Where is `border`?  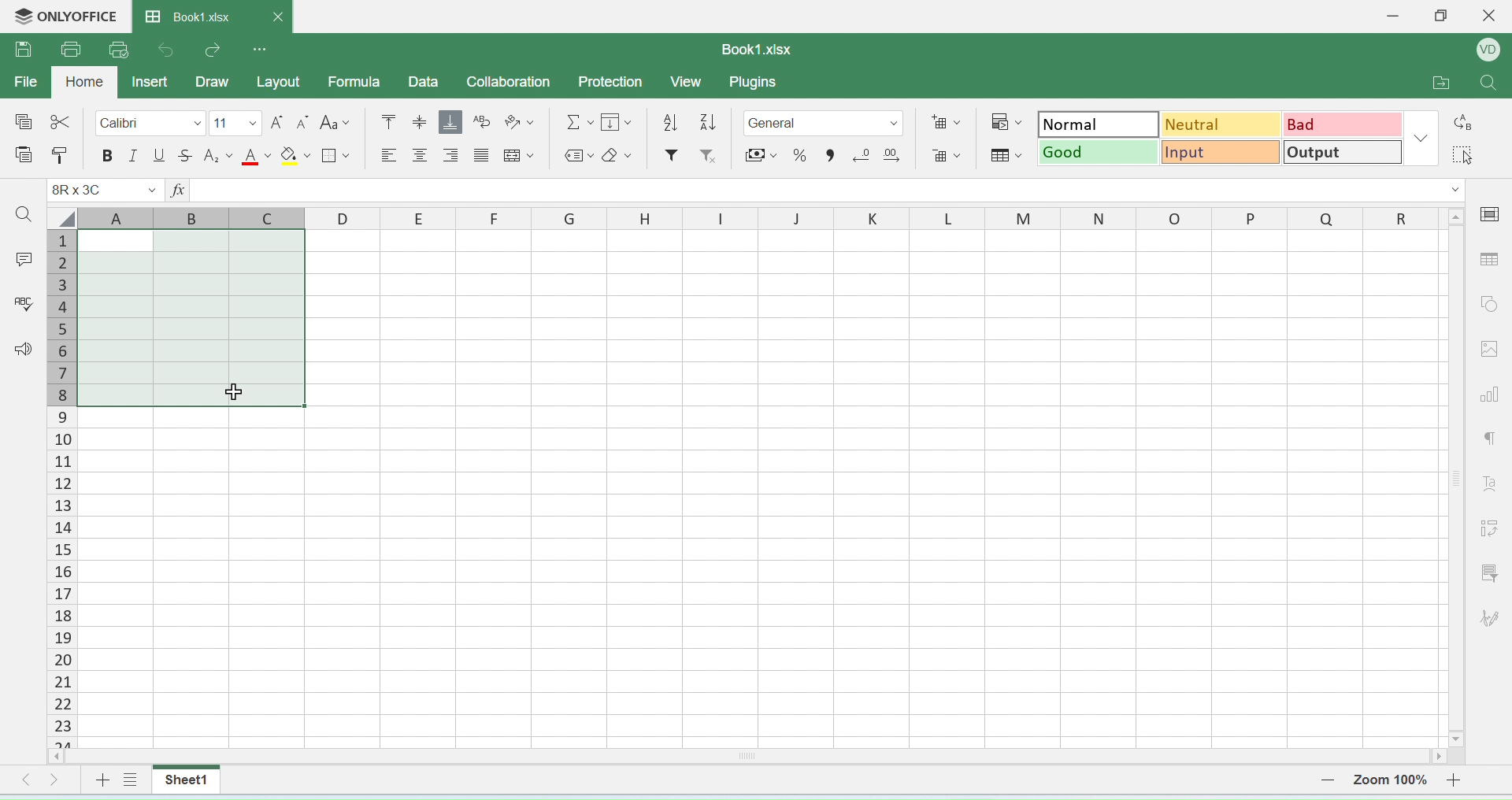 border is located at coordinates (336, 157).